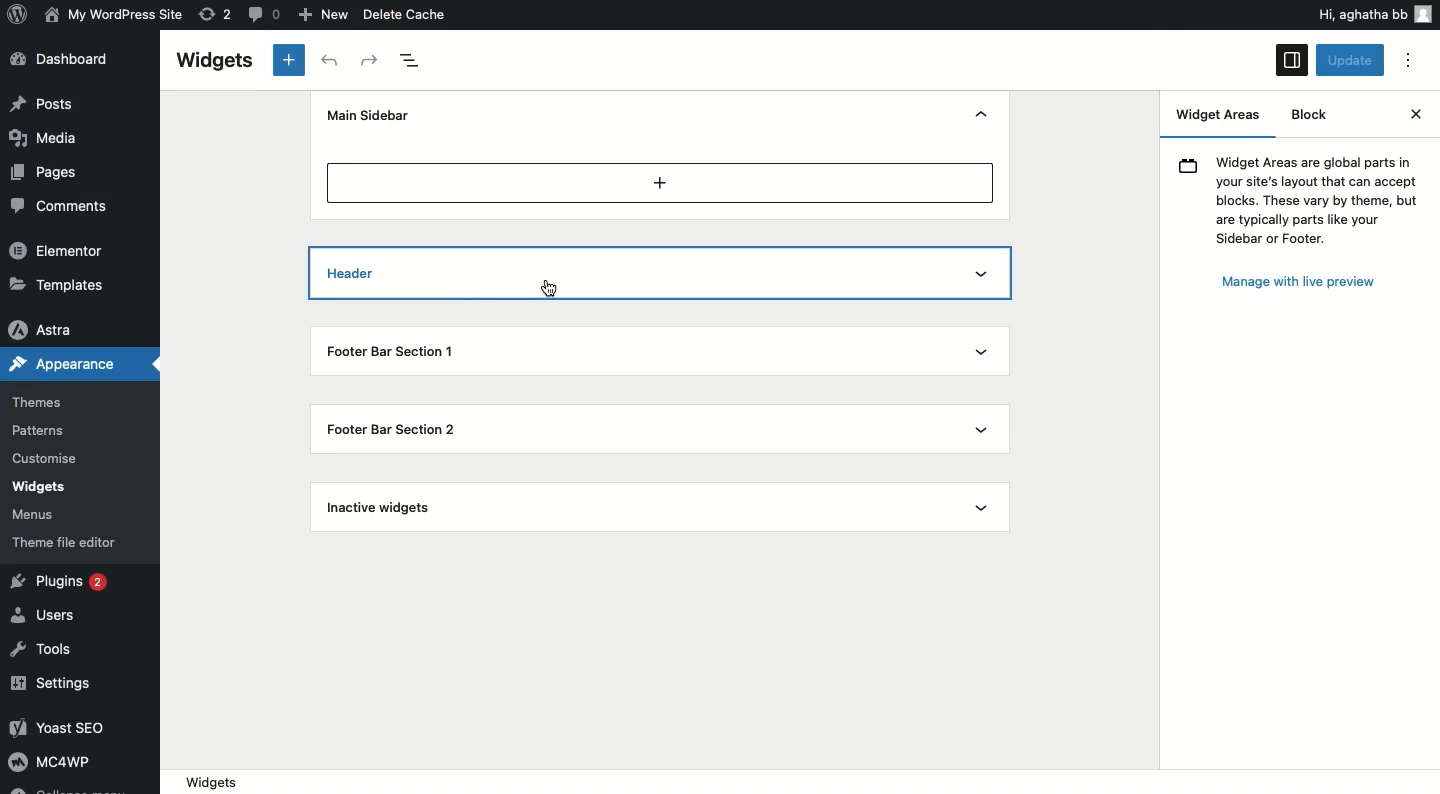 The image size is (1440, 794). Describe the element at coordinates (405, 348) in the screenshot. I see `Footer bar section 1` at that location.